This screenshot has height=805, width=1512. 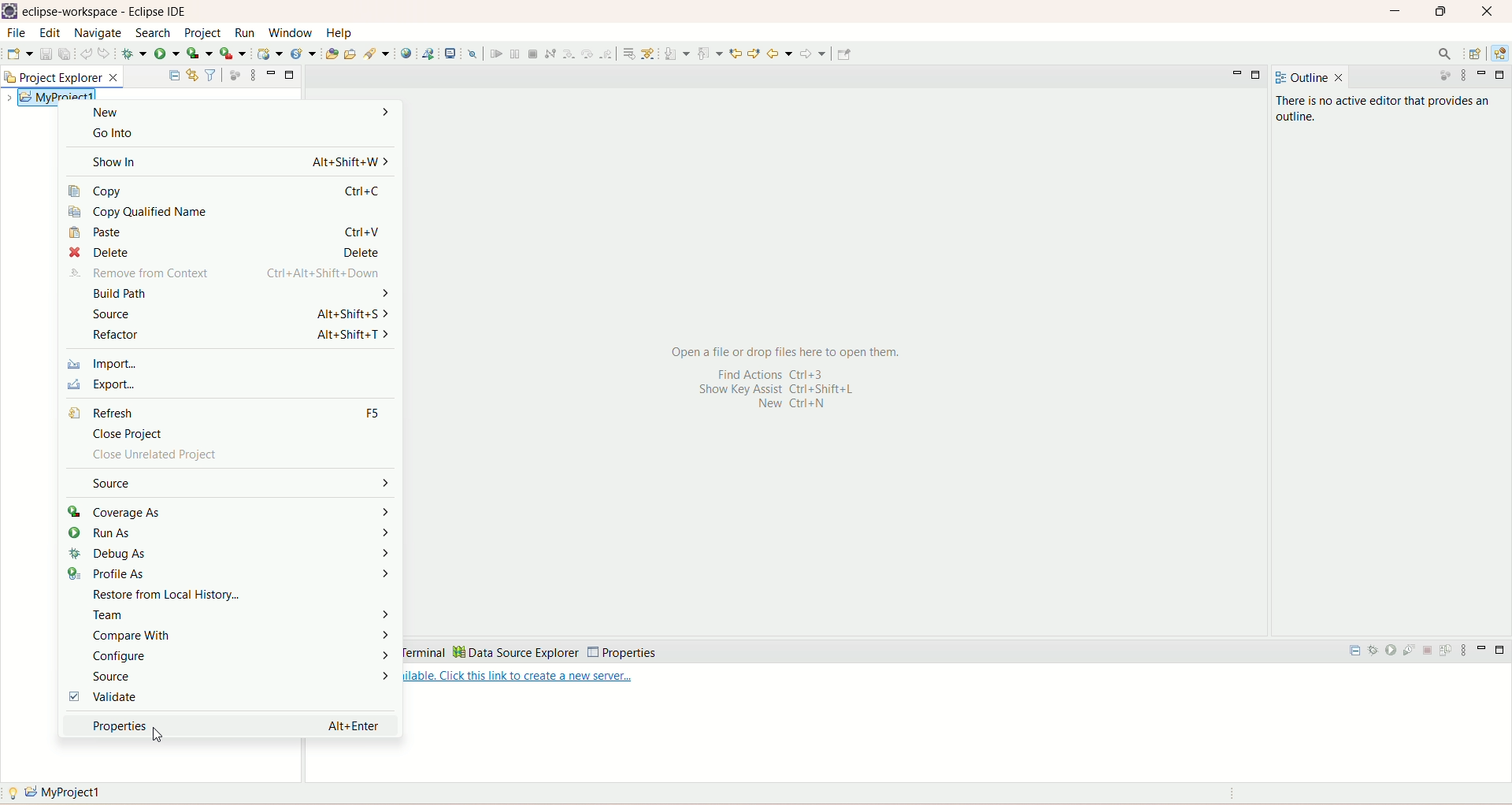 What do you see at coordinates (233, 485) in the screenshot?
I see `source` at bounding box center [233, 485].